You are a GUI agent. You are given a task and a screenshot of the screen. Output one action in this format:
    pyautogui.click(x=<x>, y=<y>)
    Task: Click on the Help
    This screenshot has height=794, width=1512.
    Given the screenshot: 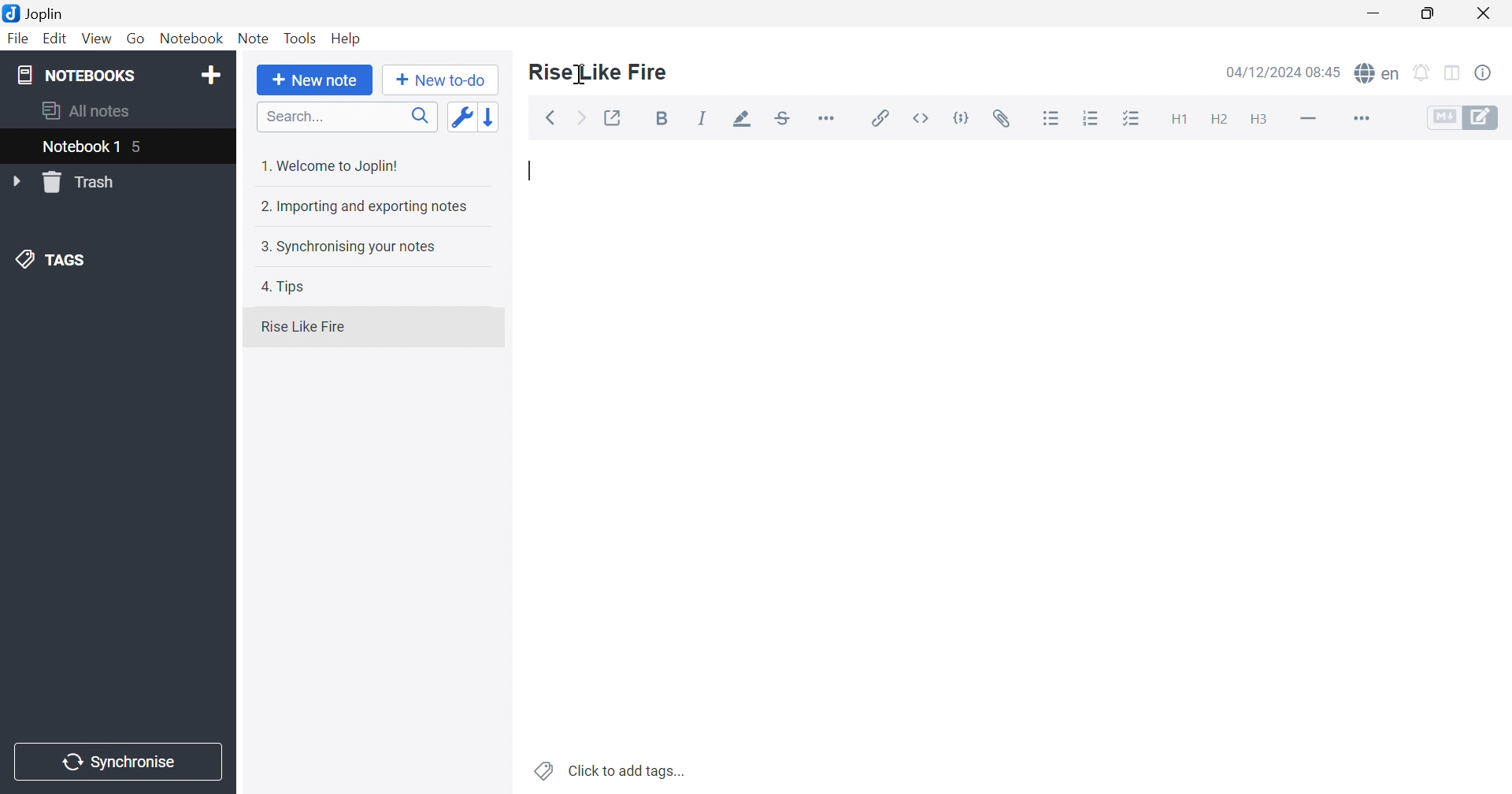 What is the action you would take?
    pyautogui.click(x=344, y=38)
    